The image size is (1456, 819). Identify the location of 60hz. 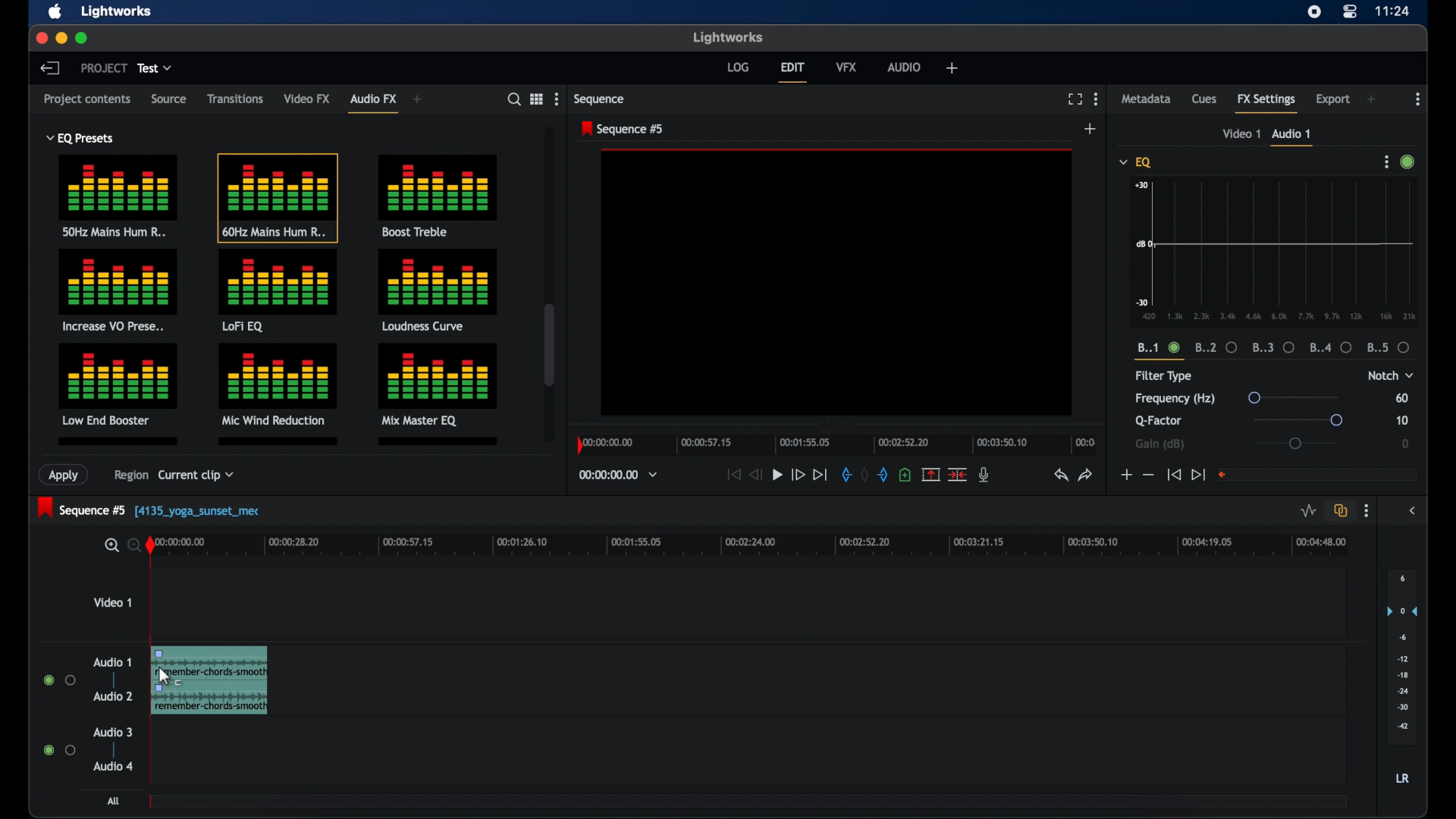
(277, 197).